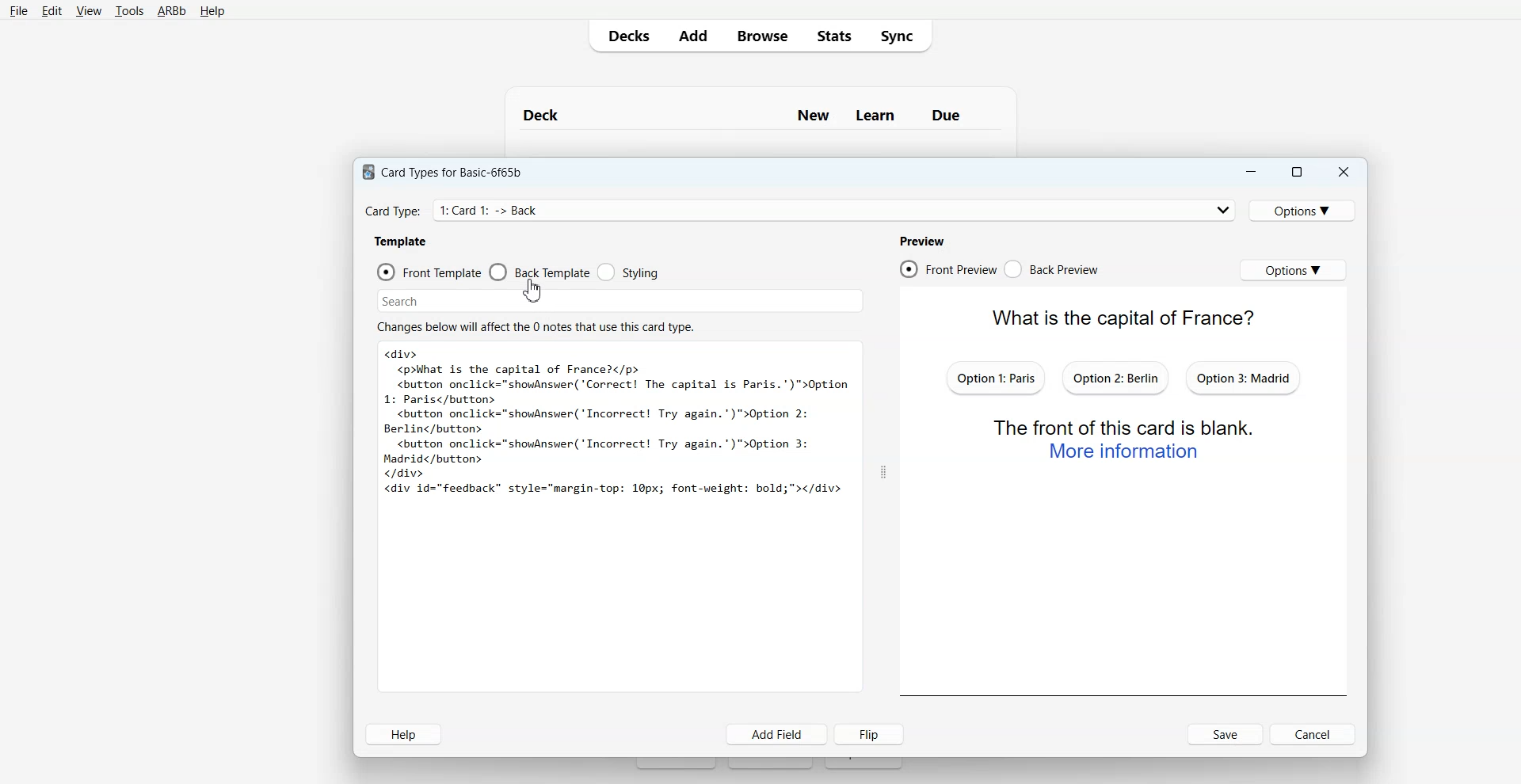 This screenshot has height=784, width=1521. Describe the element at coordinates (1116, 378) in the screenshot. I see `Option 2: Berlin` at that location.